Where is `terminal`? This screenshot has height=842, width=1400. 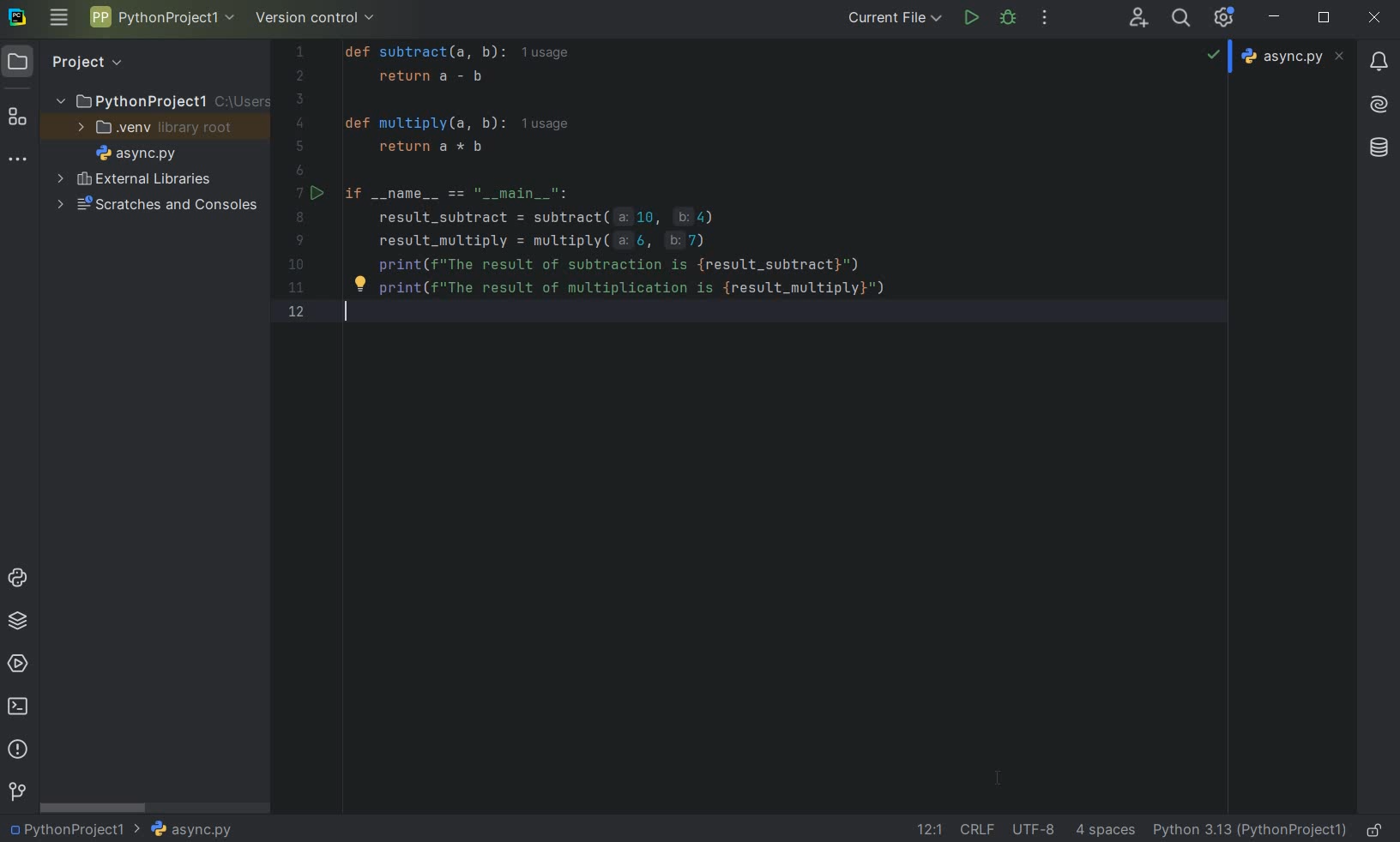 terminal is located at coordinates (20, 706).